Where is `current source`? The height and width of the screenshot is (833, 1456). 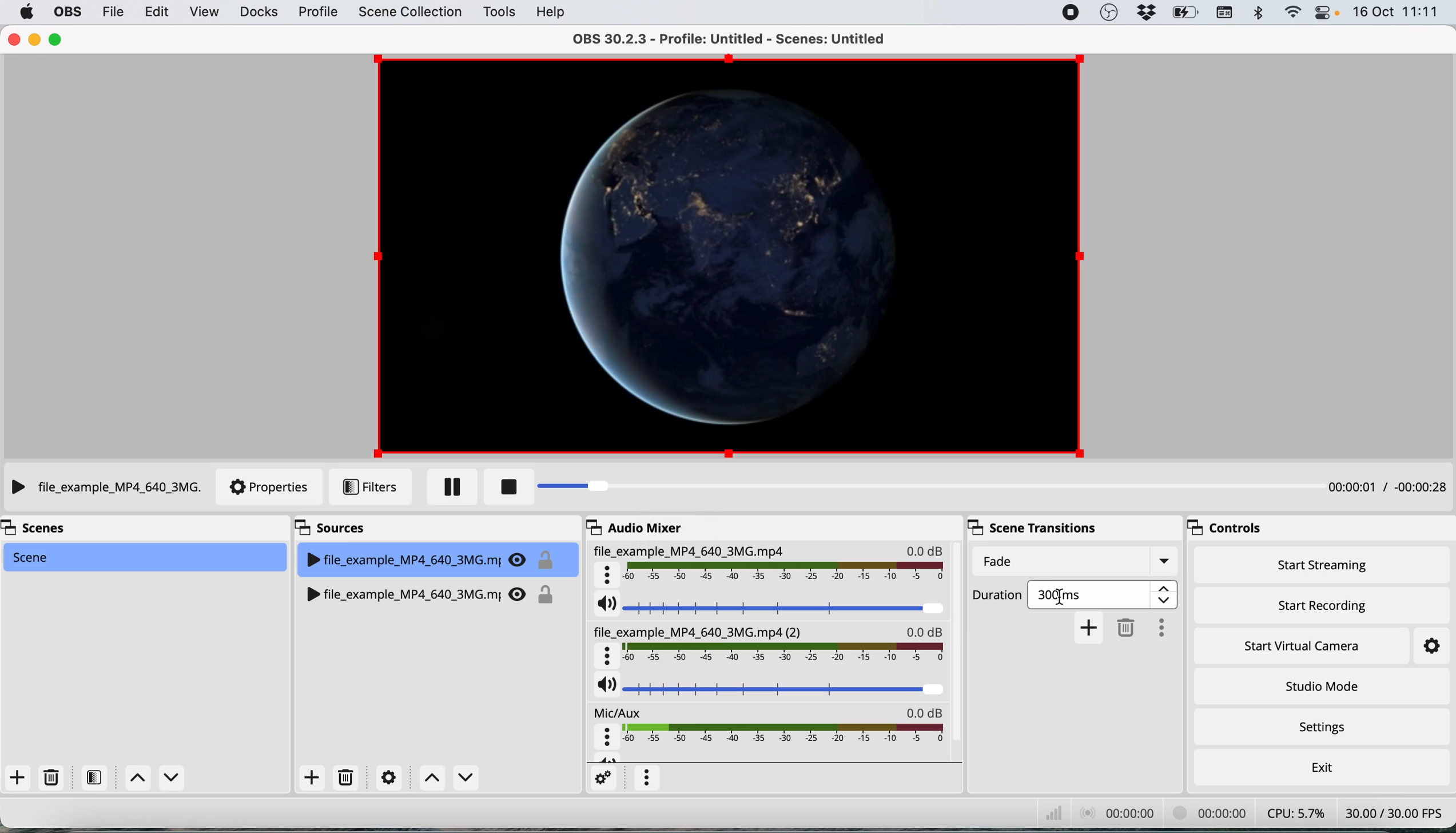
current source is located at coordinates (733, 255).